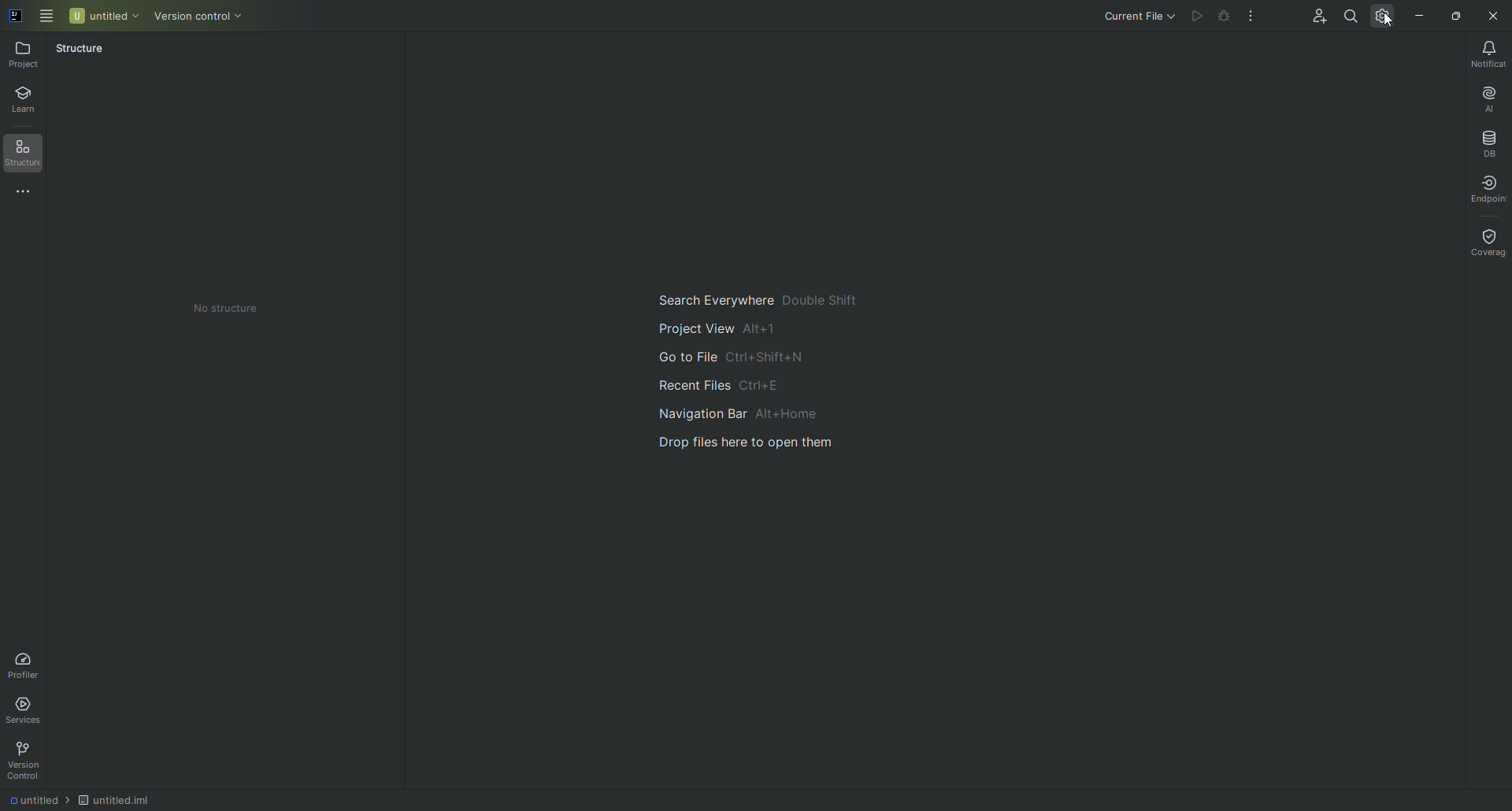  What do you see at coordinates (234, 311) in the screenshot?
I see `No structure` at bounding box center [234, 311].